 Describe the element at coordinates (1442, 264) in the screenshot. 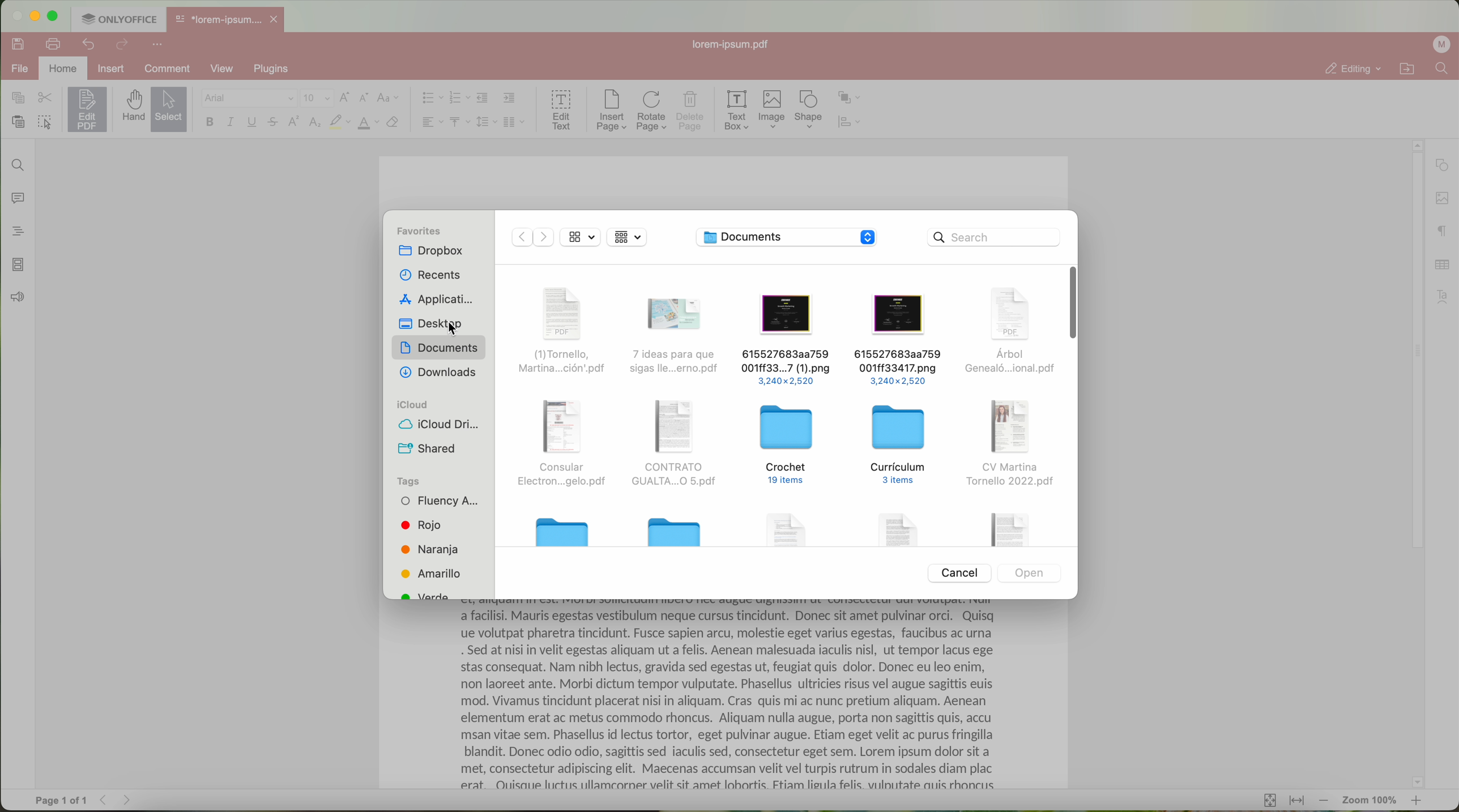

I see `table settings` at that location.